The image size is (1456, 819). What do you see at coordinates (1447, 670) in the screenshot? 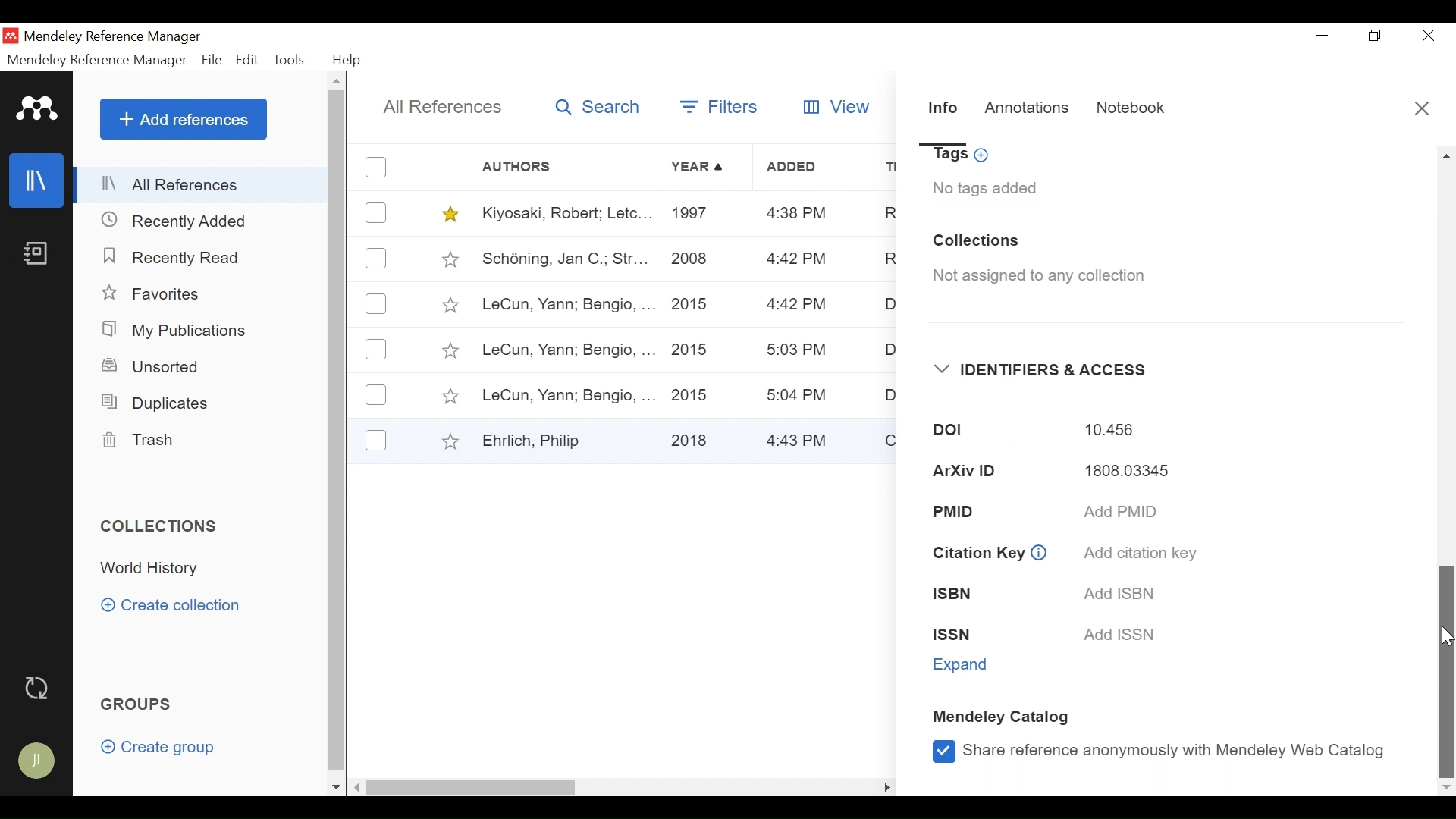
I see `Vertical Scroll bar` at bounding box center [1447, 670].